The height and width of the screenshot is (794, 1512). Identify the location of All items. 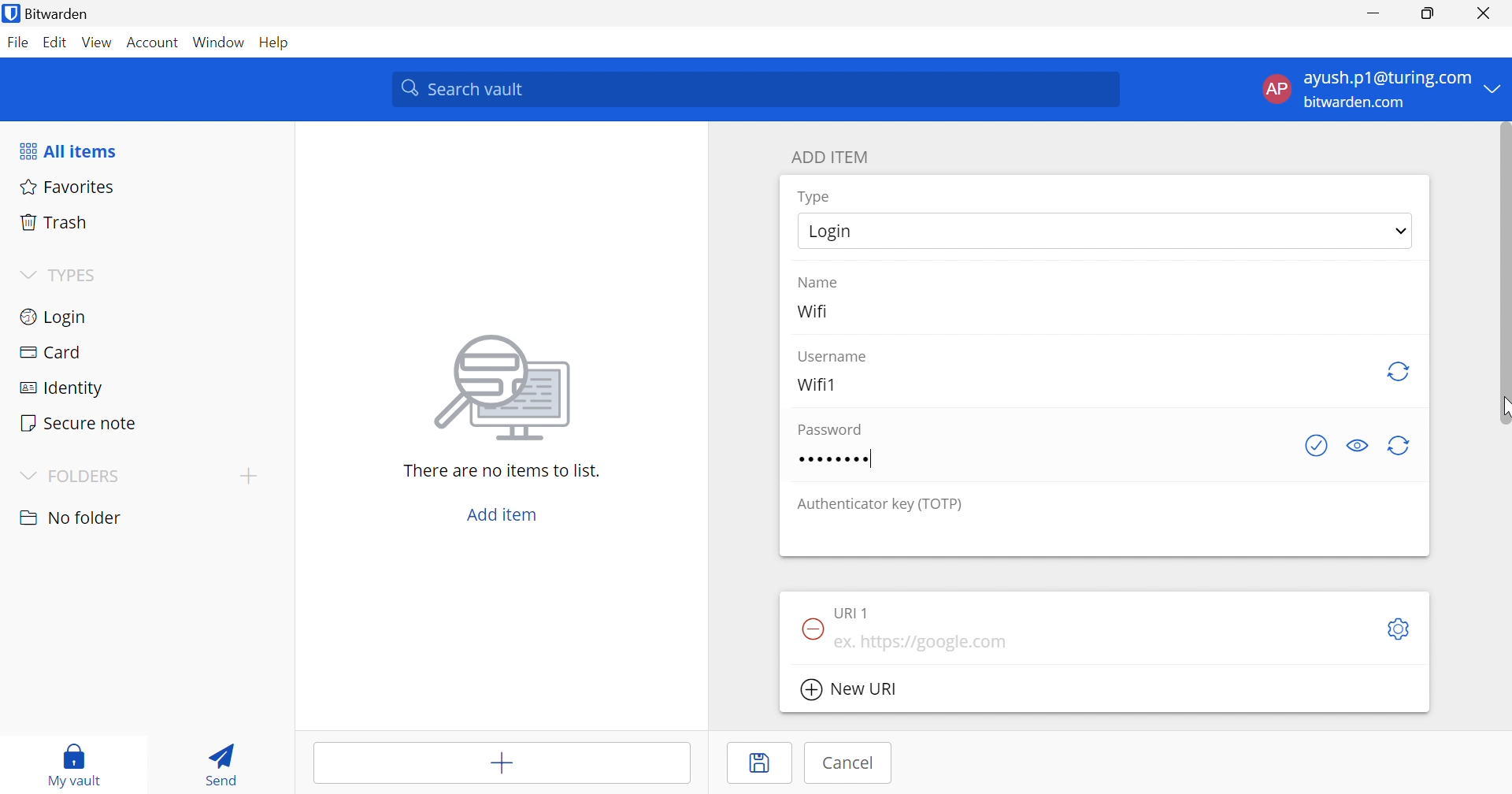
(67, 151).